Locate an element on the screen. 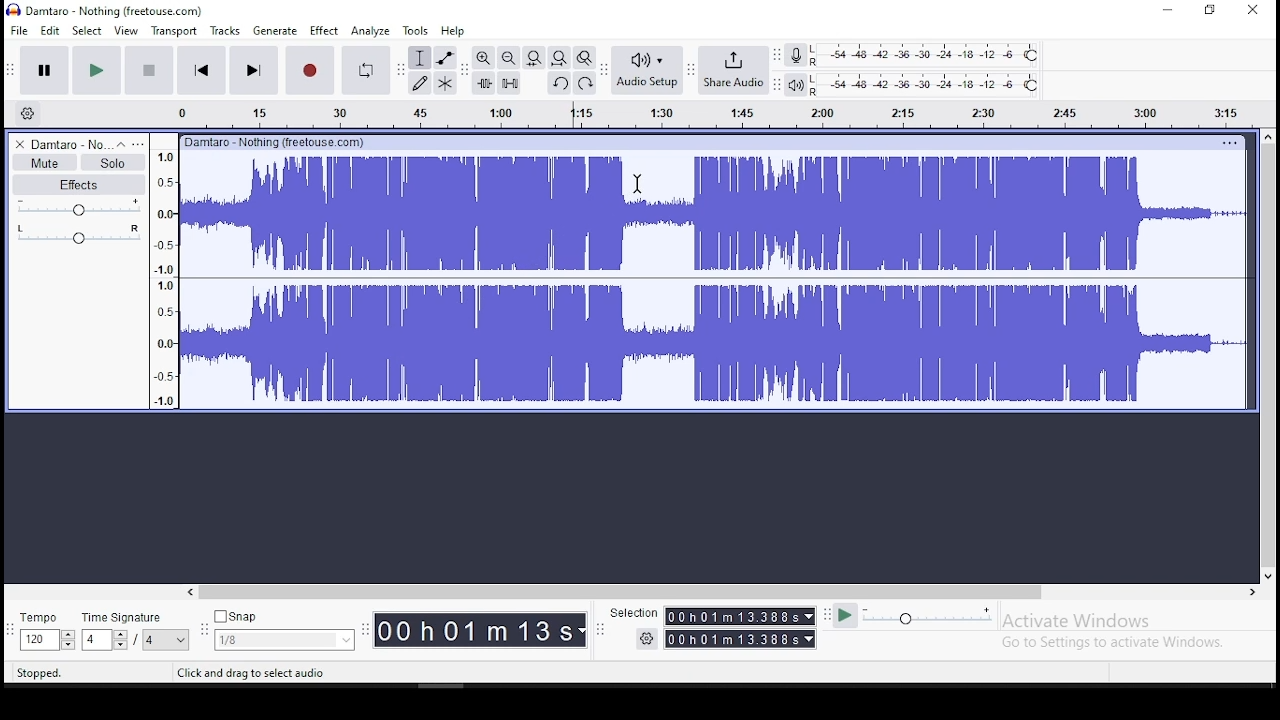  click and drag to select audio is located at coordinates (249, 673).